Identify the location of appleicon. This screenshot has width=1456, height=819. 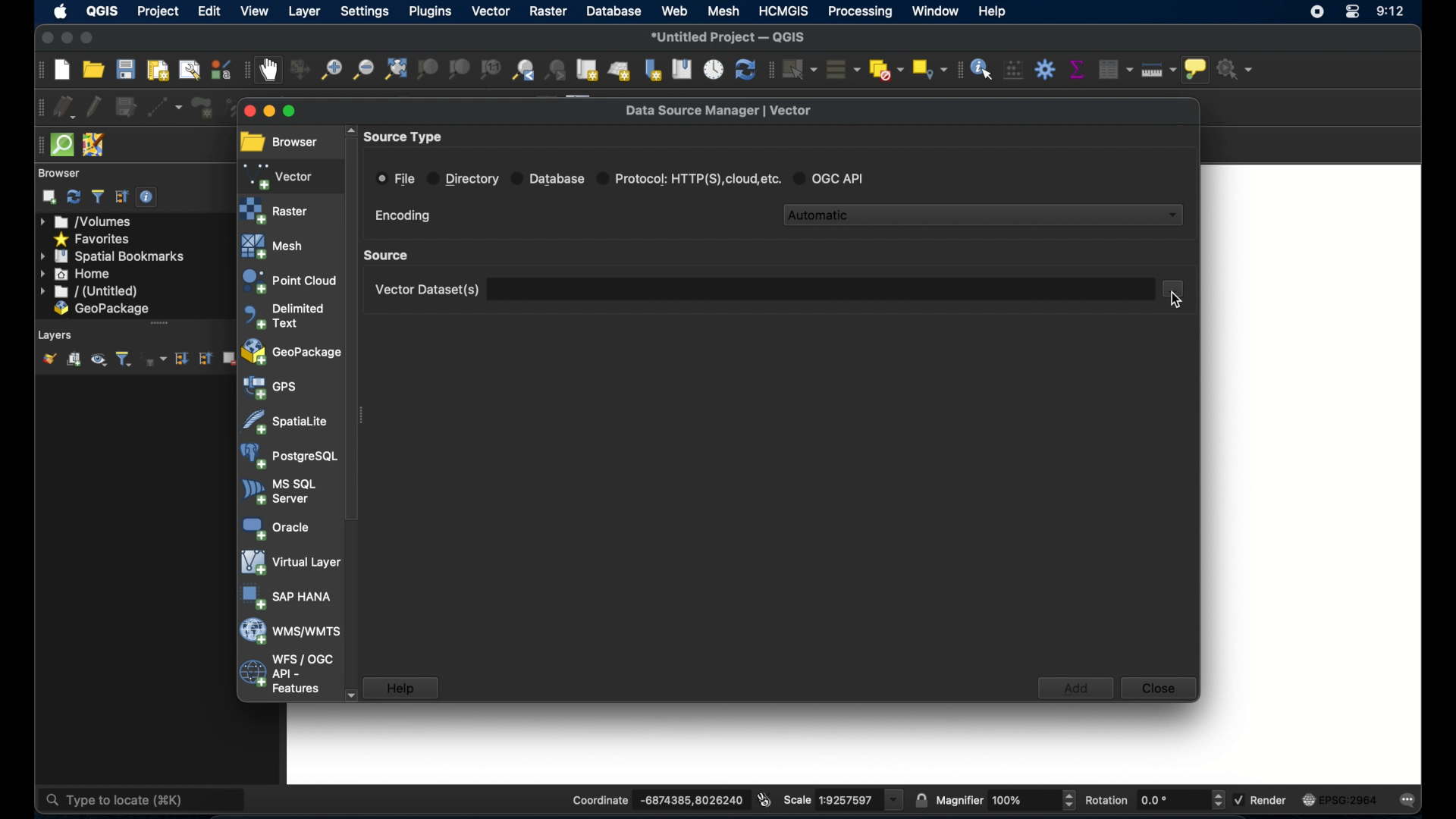
(61, 12).